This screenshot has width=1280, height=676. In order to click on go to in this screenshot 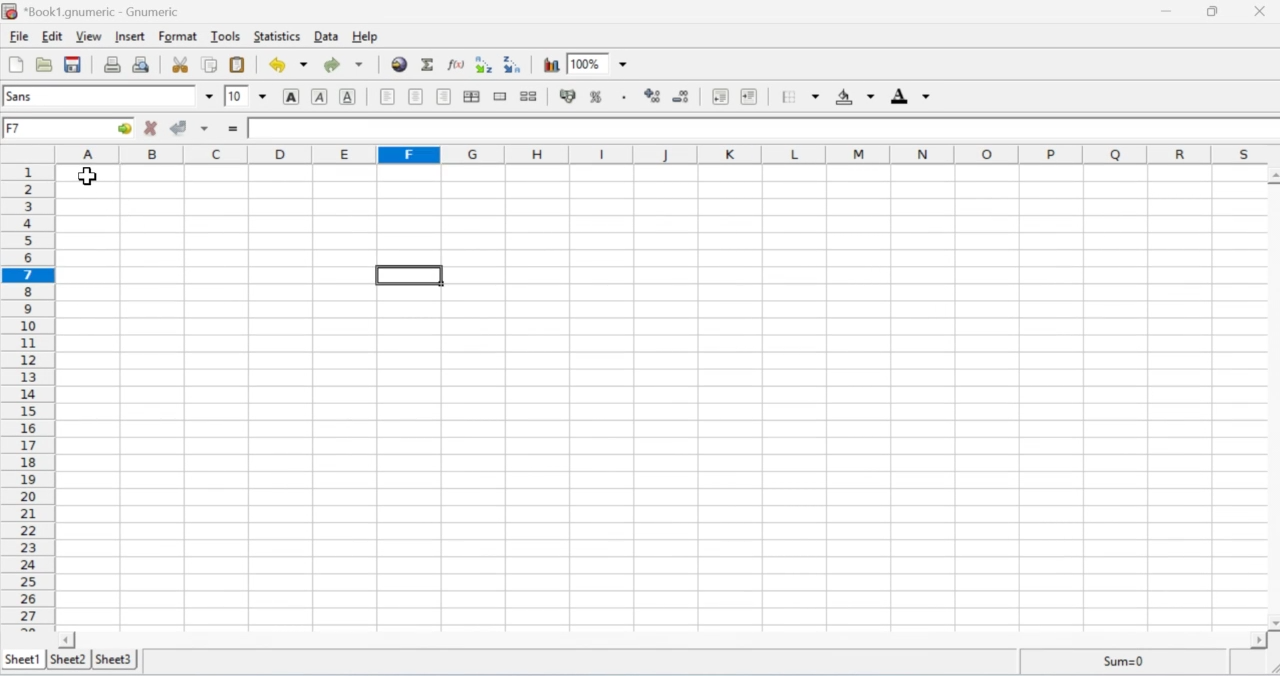, I will do `click(117, 130)`.